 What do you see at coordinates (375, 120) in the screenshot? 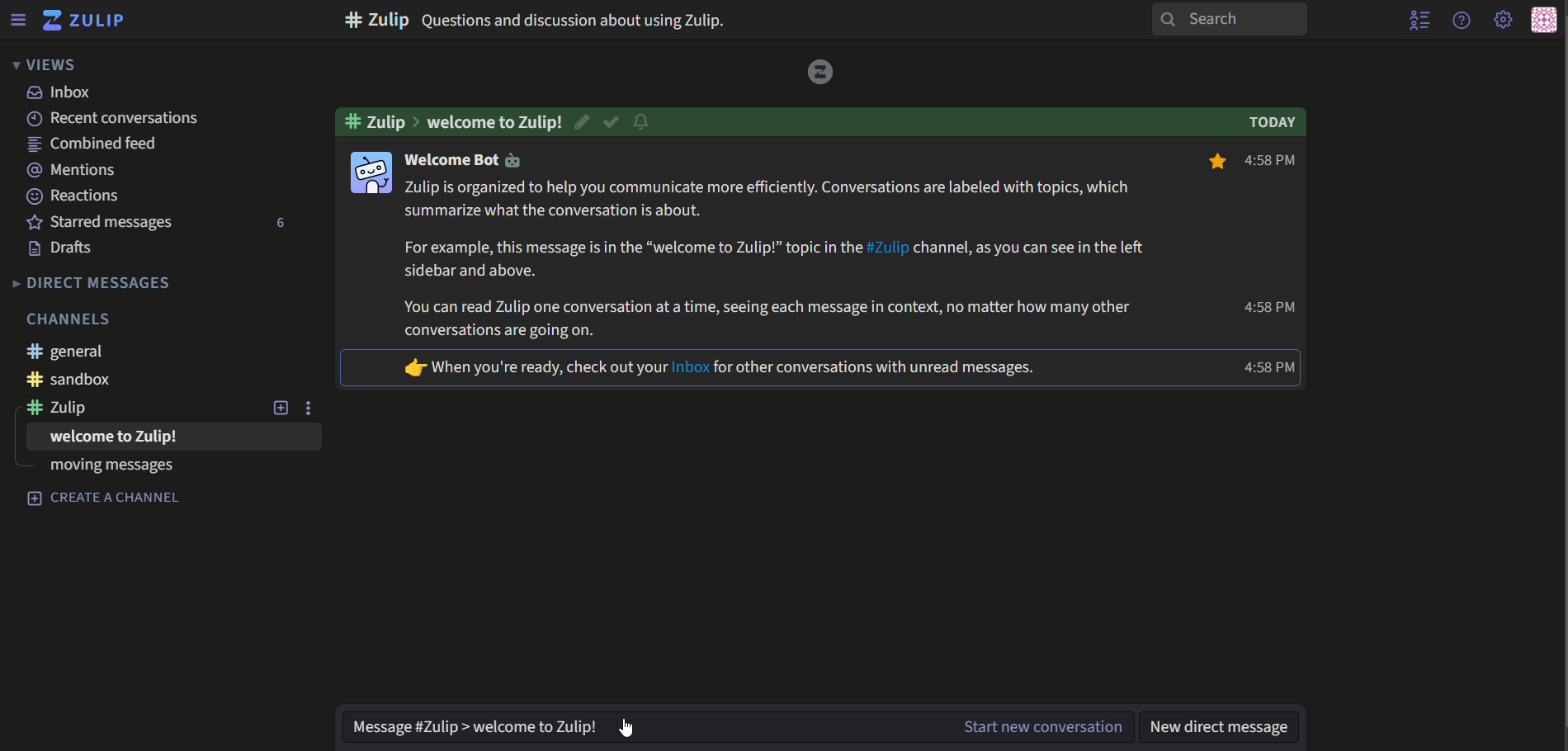
I see `text` at bounding box center [375, 120].